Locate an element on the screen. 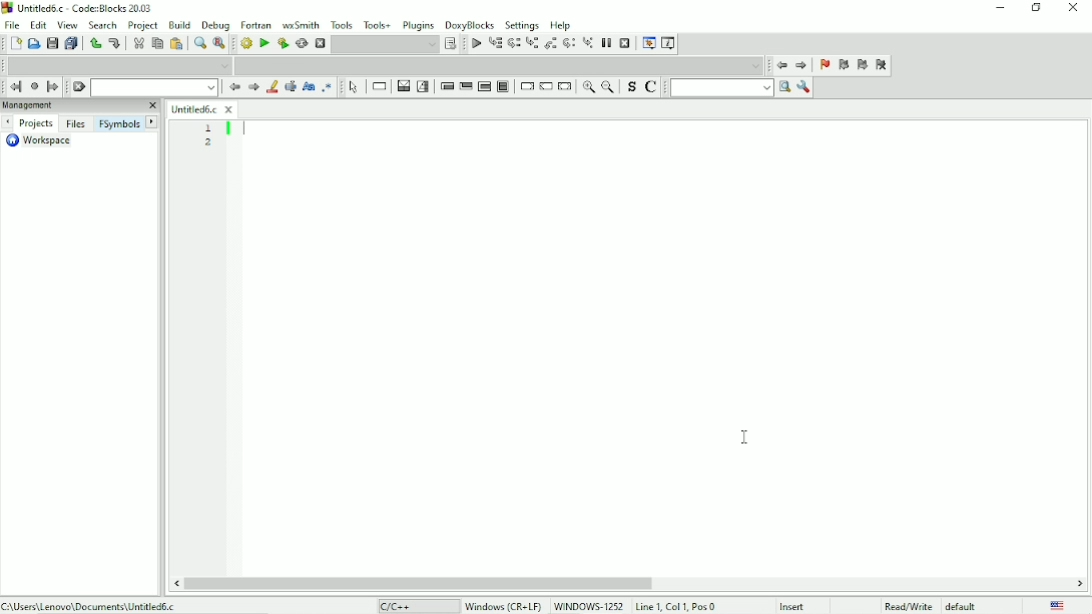  Find is located at coordinates (198, 44).